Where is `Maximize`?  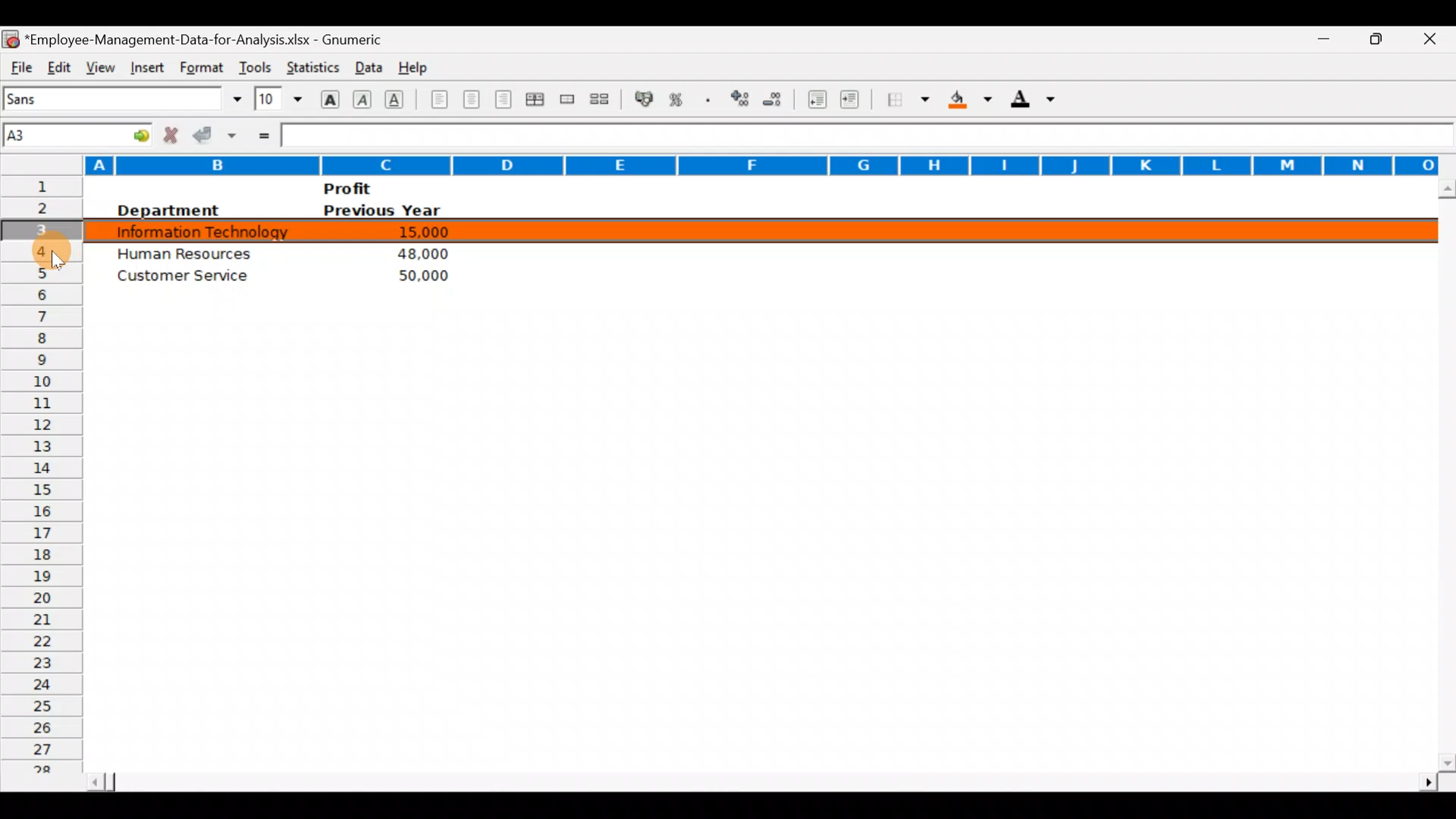 Maximize is located at coordinates (1382, 37).